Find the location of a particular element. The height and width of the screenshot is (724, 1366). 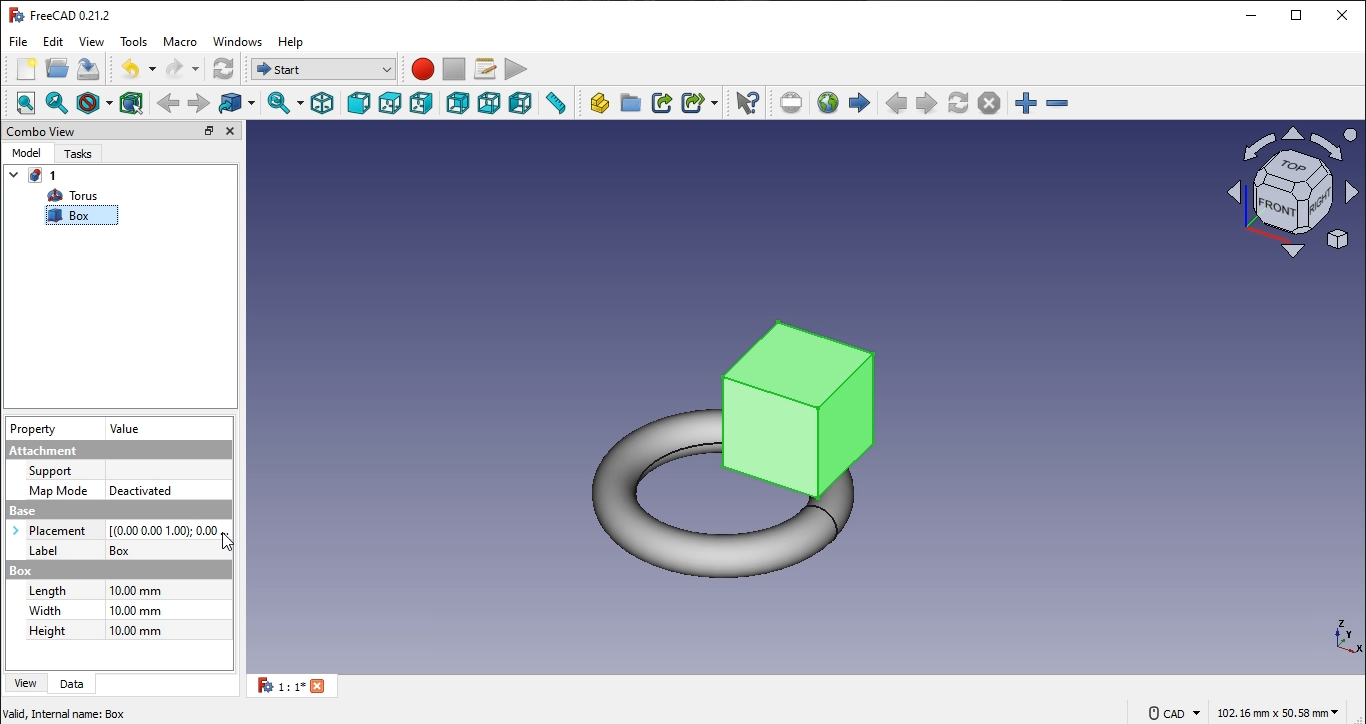

front is located at coordinates (357, 102).